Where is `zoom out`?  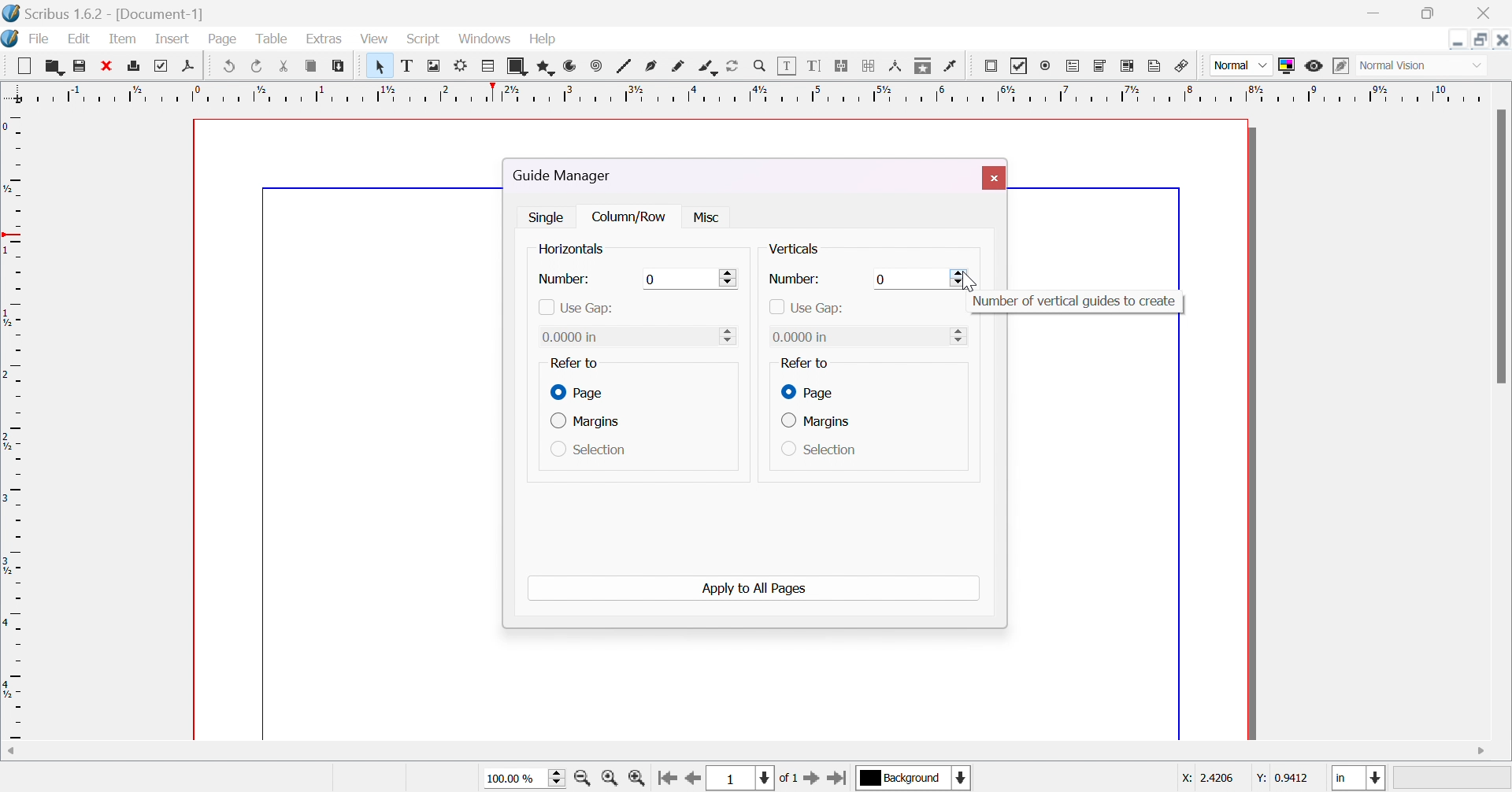
zoom out is located at coordinates (585, 777).